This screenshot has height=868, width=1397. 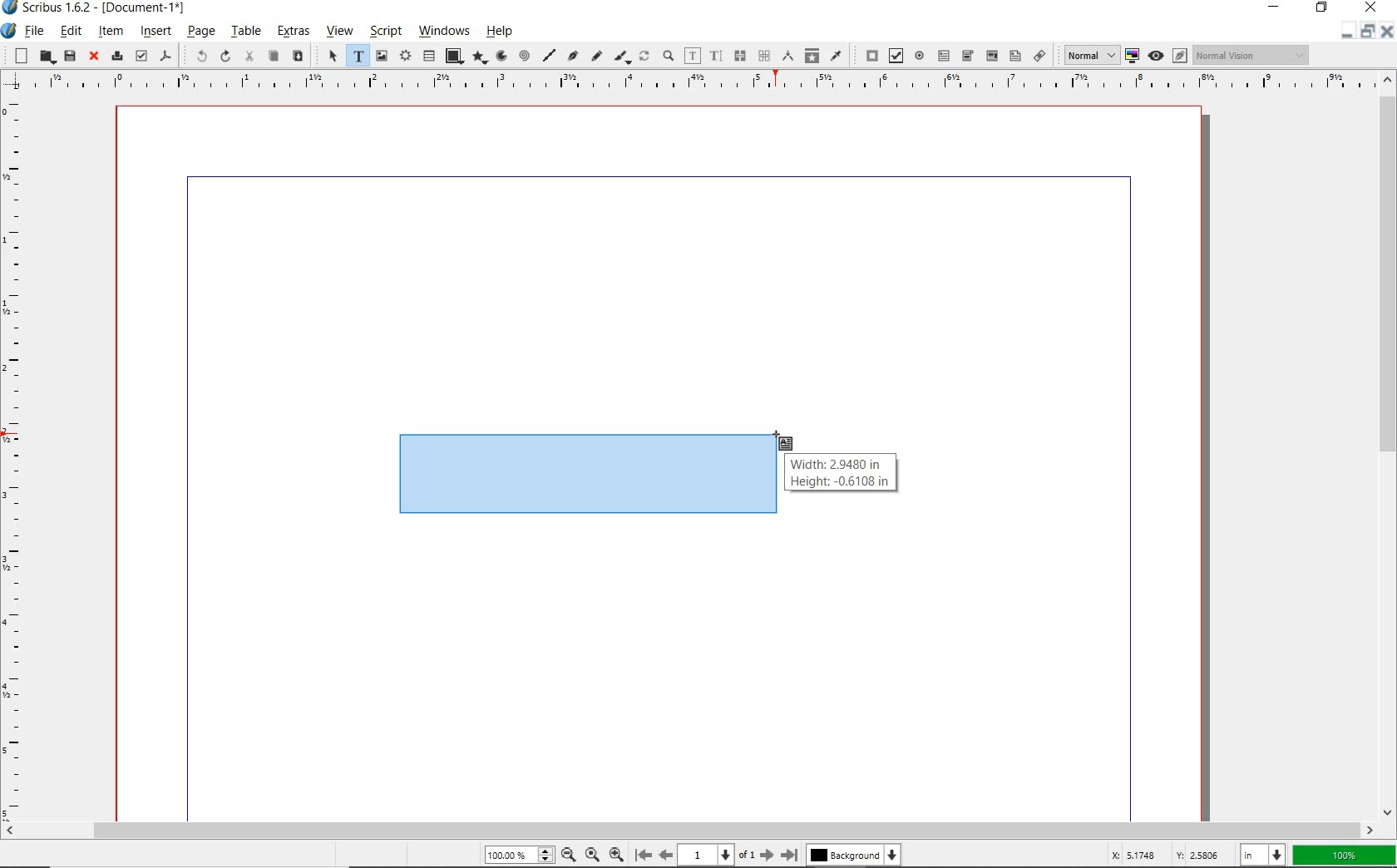 What do you see at coordinates (616, 853) in the screenshot?
I see `Zoom in` at bounding box center [616, 853].